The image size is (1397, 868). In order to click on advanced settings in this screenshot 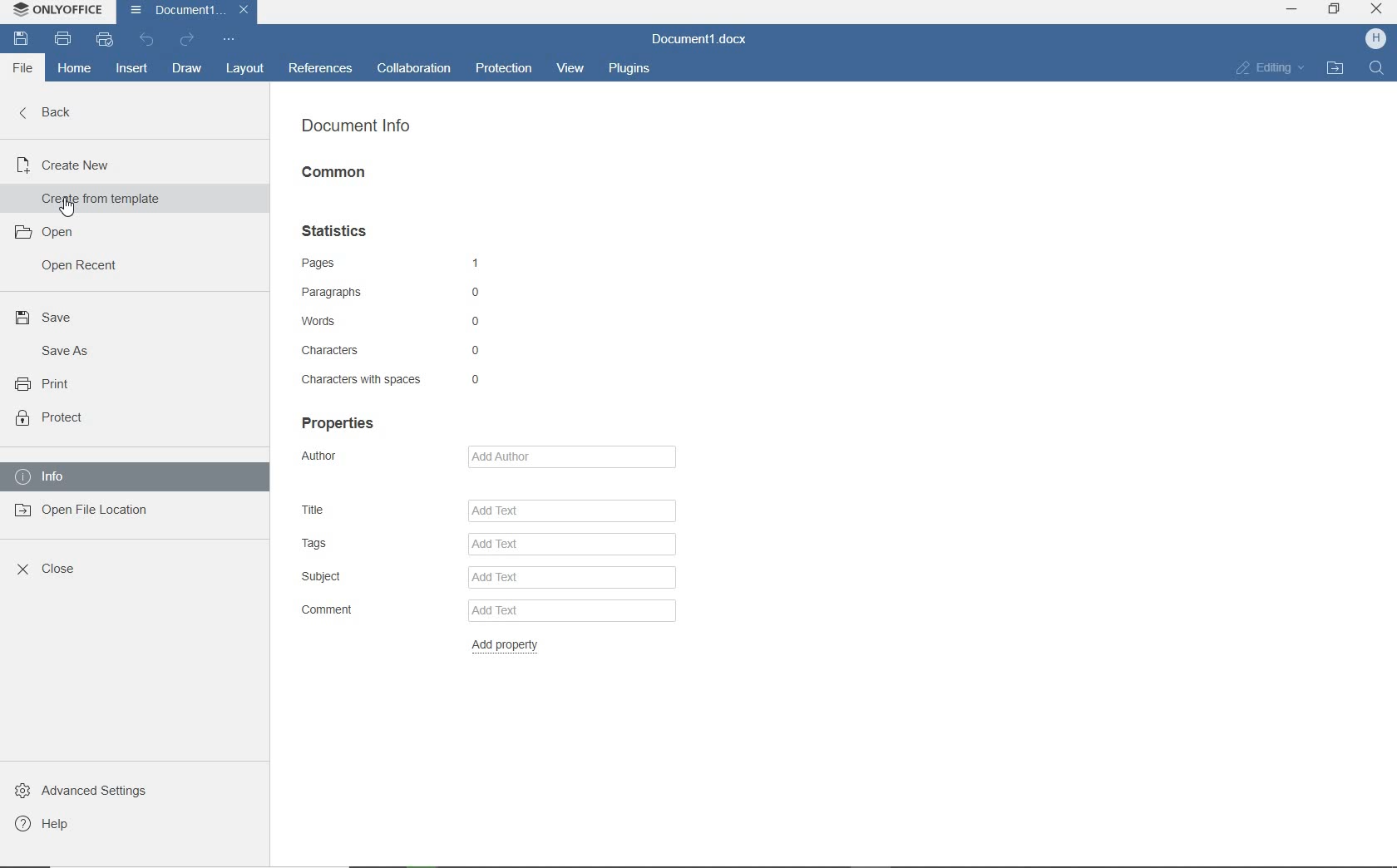, I will do `click(89, 793)`.